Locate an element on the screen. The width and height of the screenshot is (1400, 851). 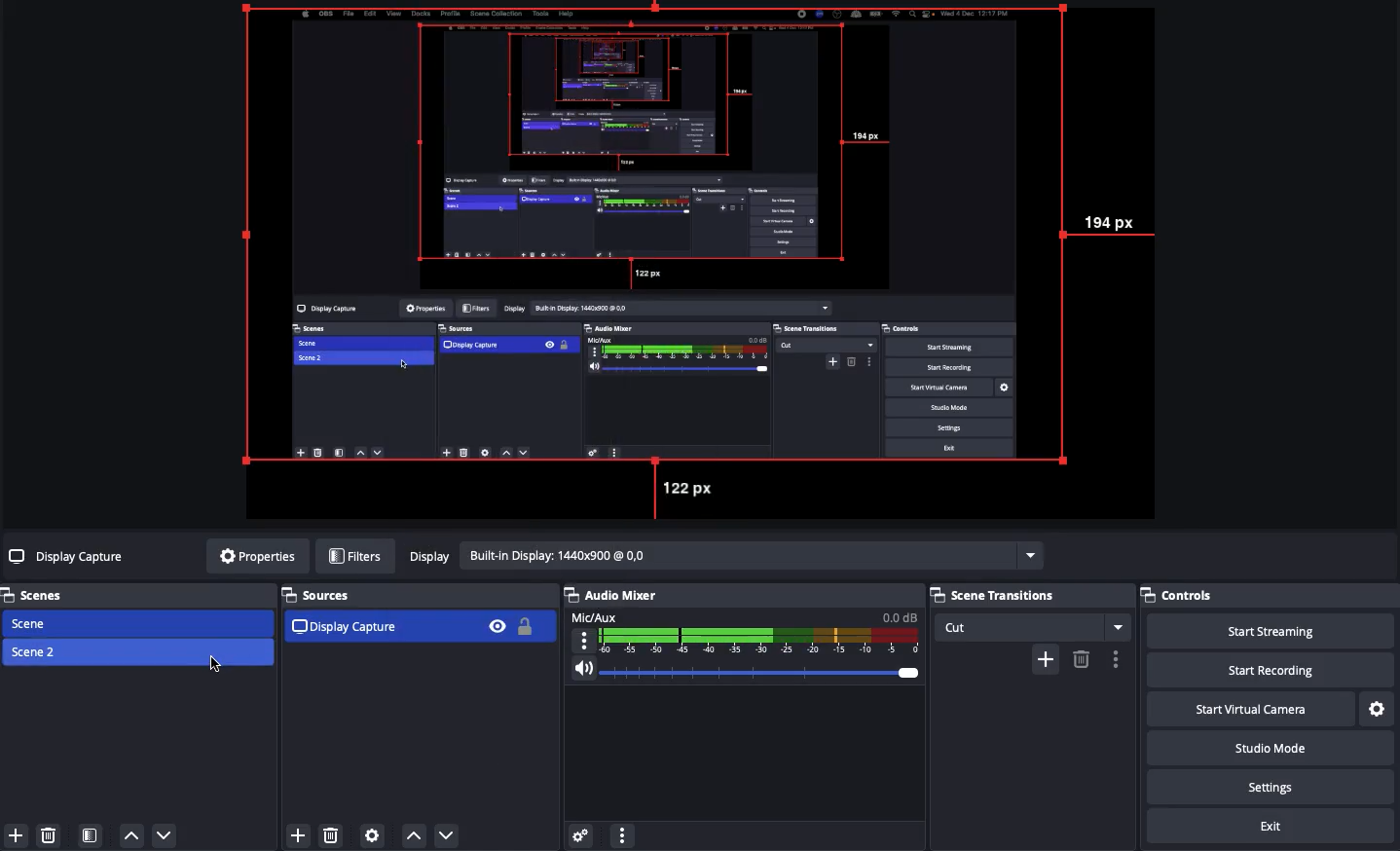
add is located at coordinates (293, 833).